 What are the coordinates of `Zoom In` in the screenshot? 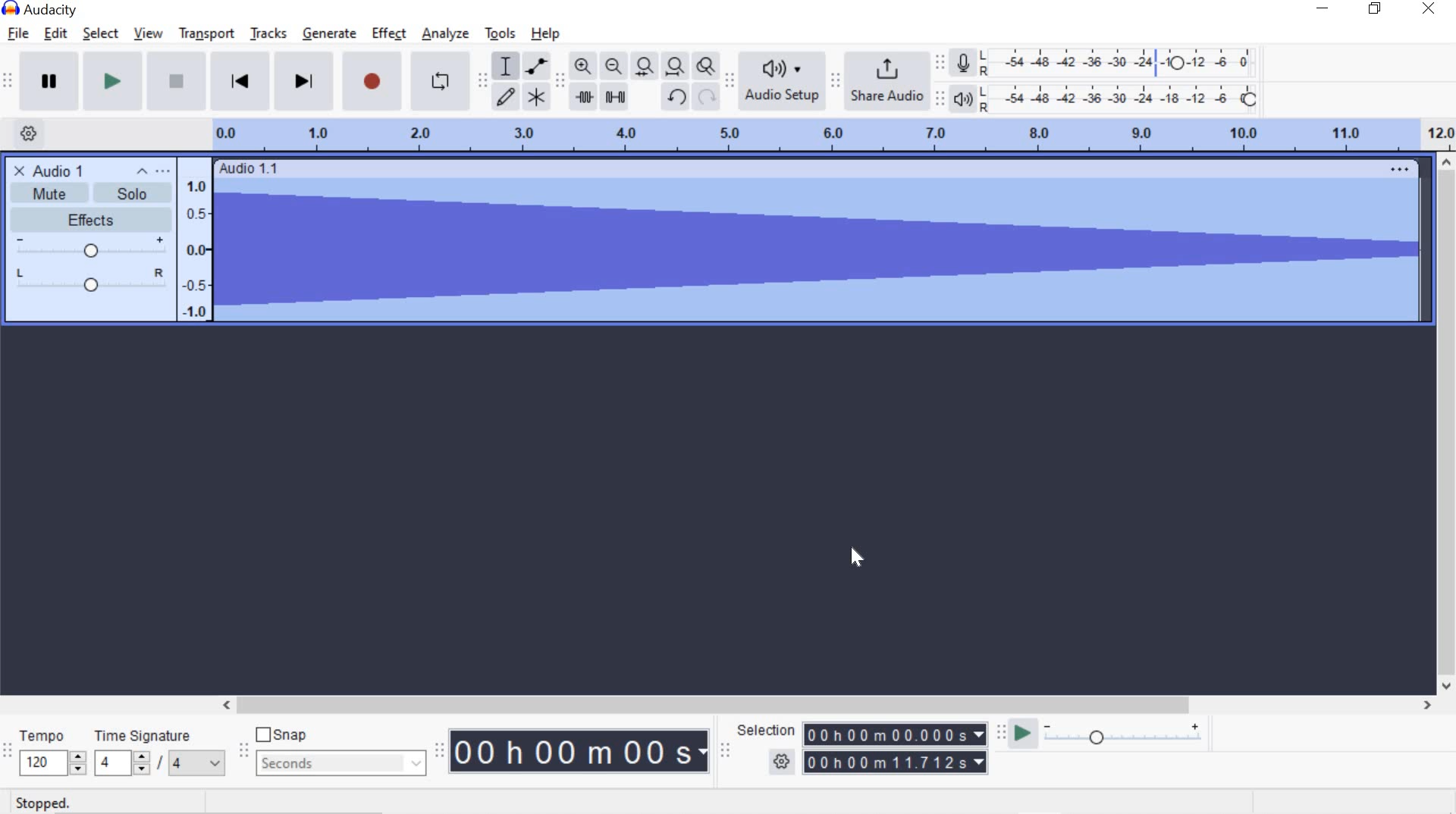 It's located at (582, 67).